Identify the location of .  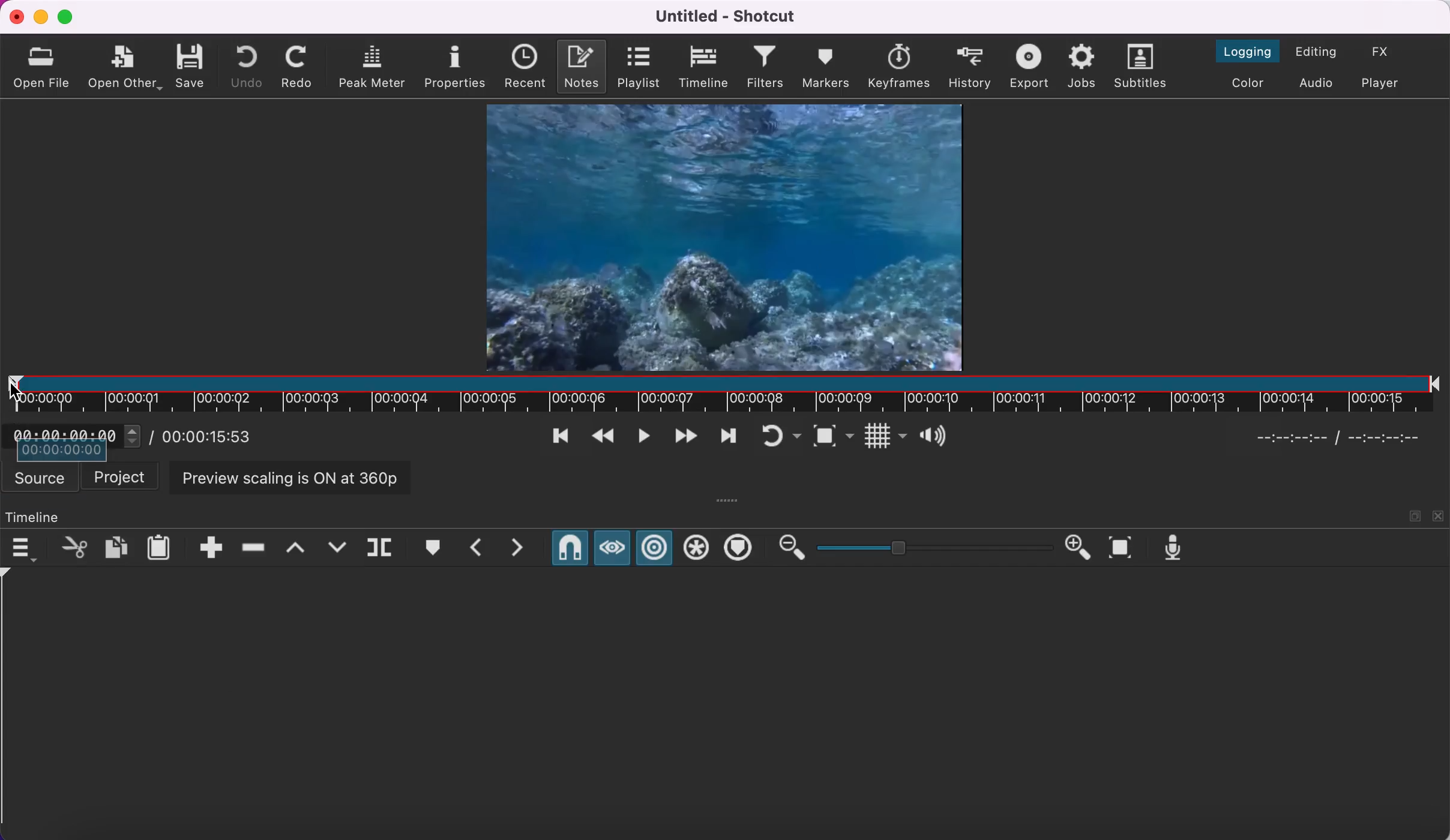
(885, 436).